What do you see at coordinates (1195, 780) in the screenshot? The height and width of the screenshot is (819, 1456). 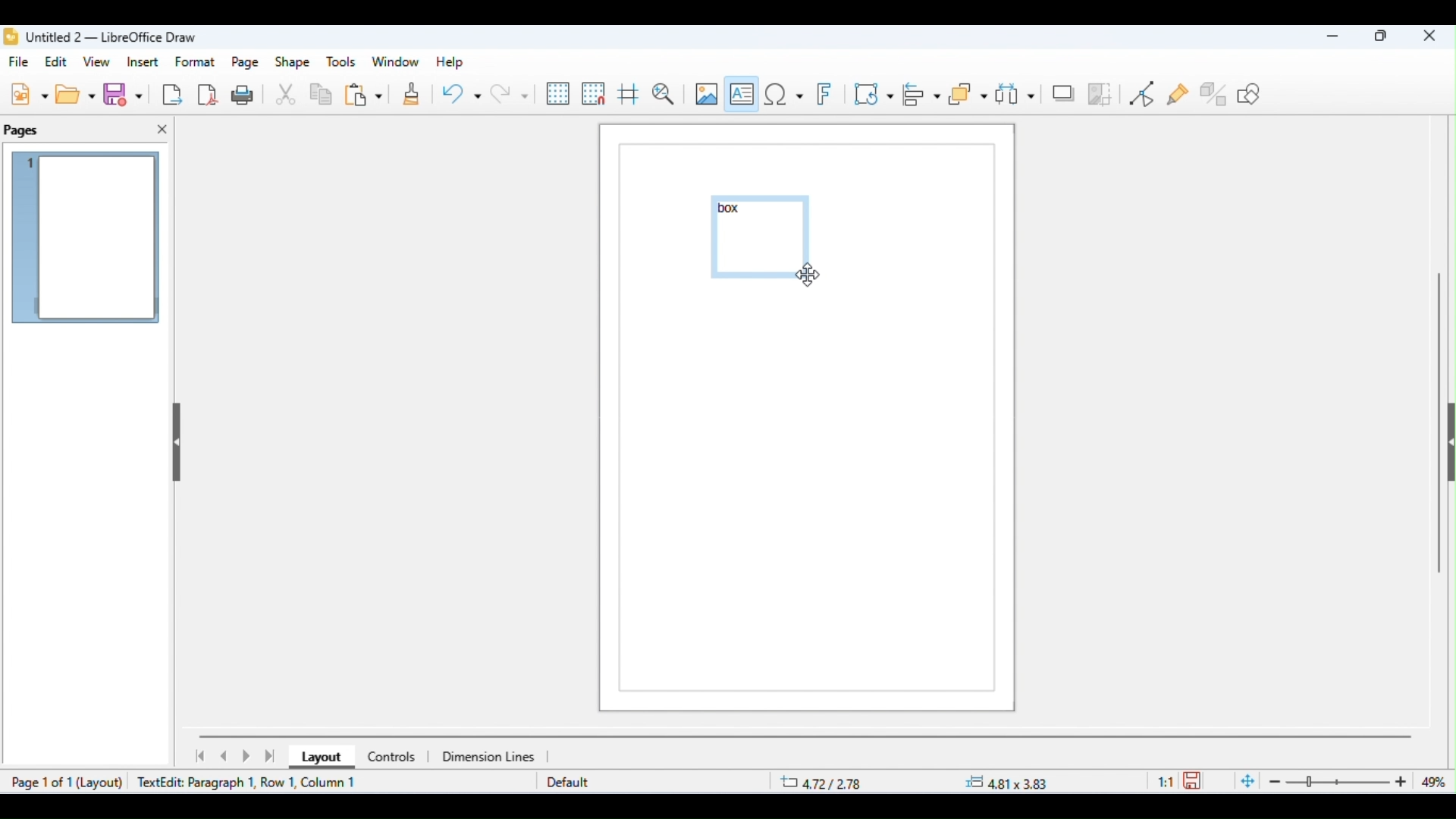 I see `save` at bounding box center [1195, 780].